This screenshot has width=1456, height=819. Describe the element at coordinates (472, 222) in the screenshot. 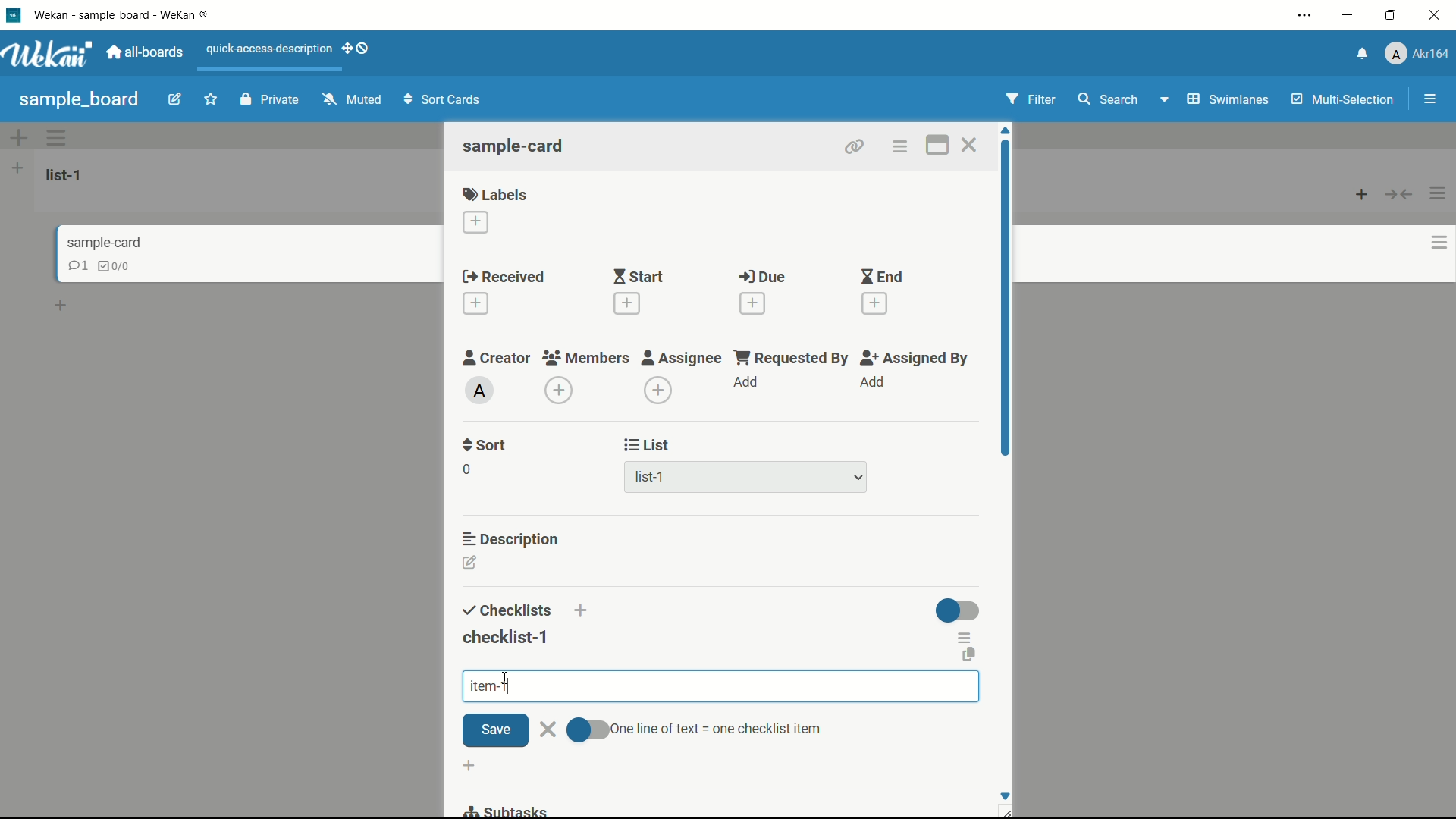

I see `add label` at that location.